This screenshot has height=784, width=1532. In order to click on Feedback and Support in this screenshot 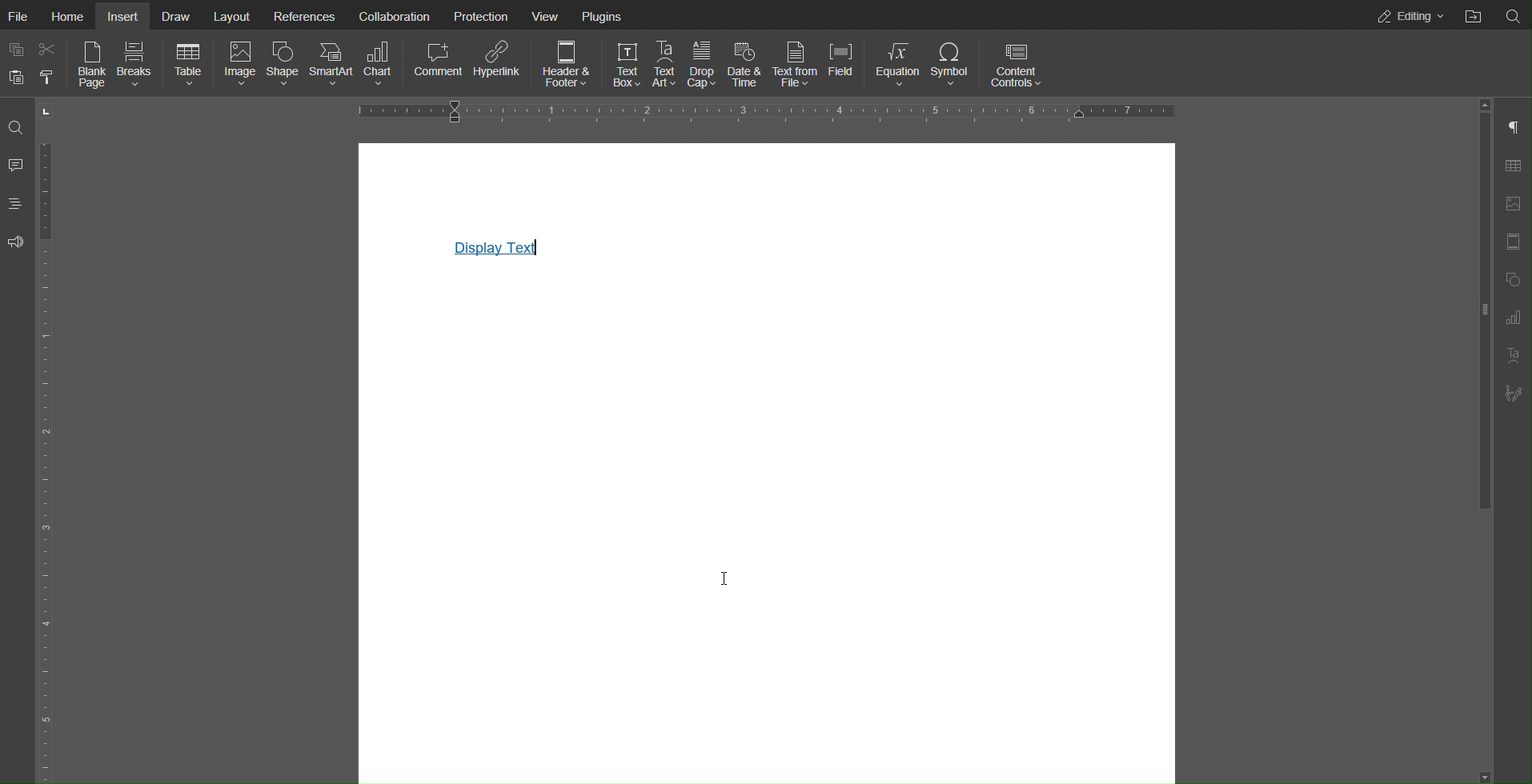, I will do `click(16, 243)`.